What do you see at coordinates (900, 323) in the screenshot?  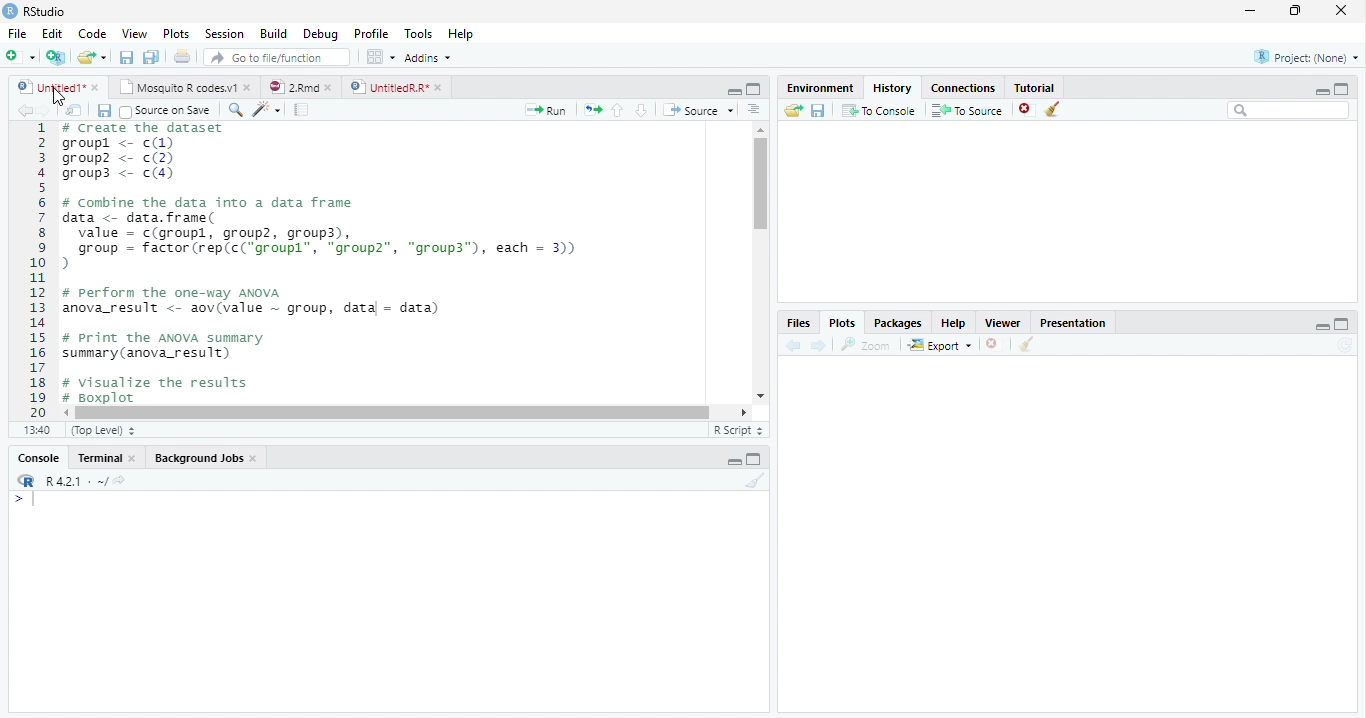 I see `Packages` at bounding box center [900, 323].